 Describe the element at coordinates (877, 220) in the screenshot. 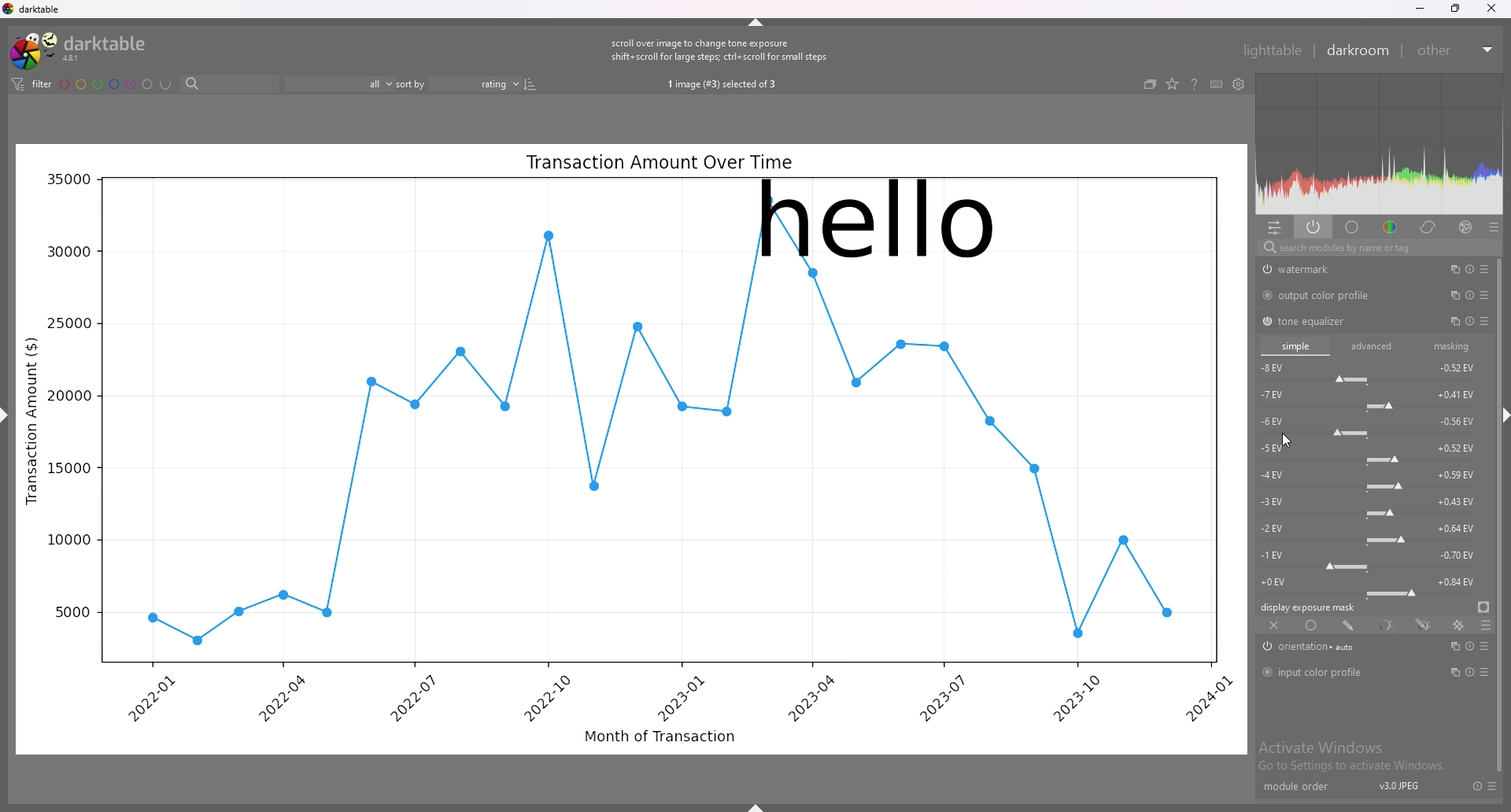

I see `hello` at that location.